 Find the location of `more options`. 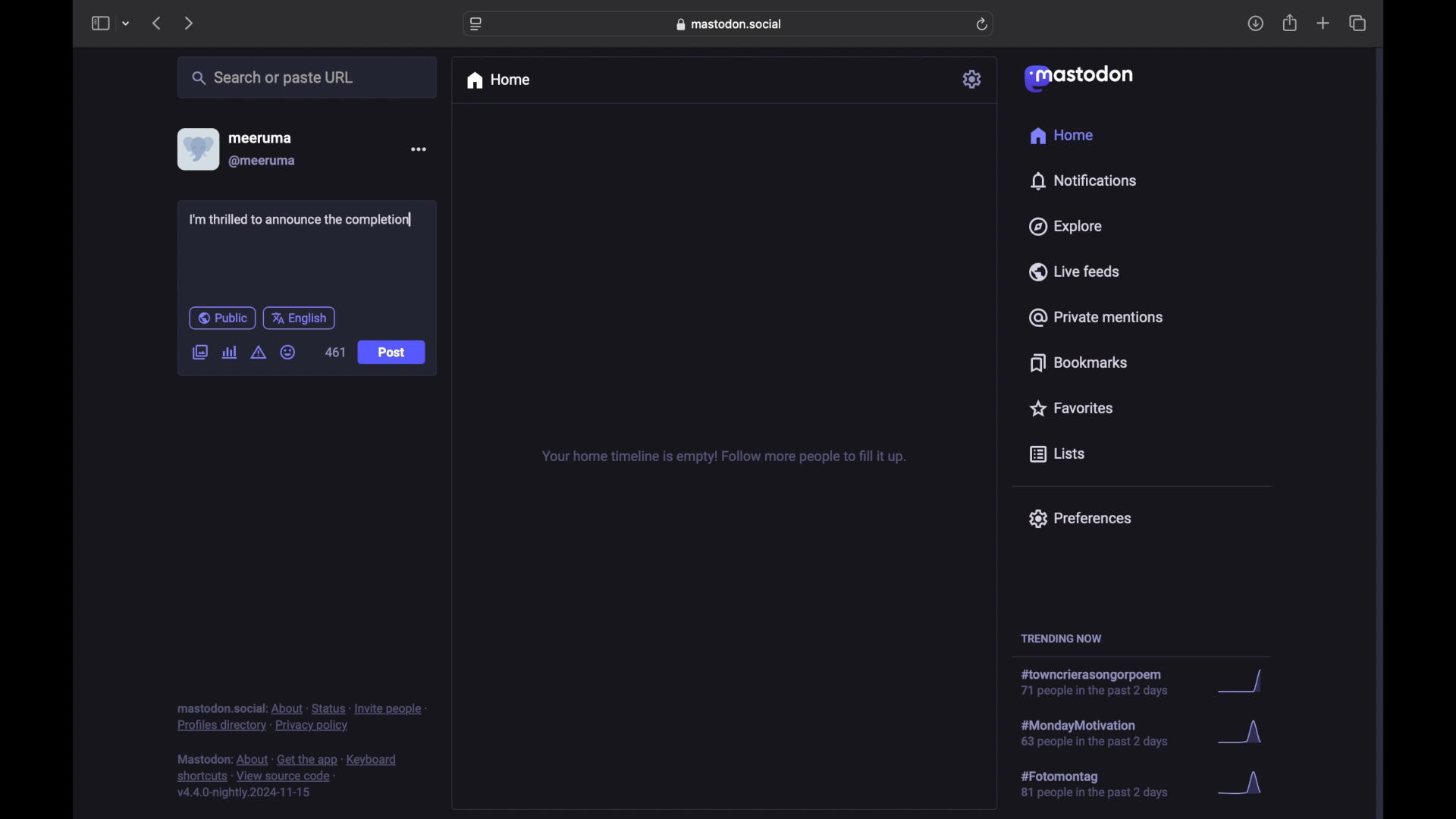

more options is located at coordinates (418, 149).